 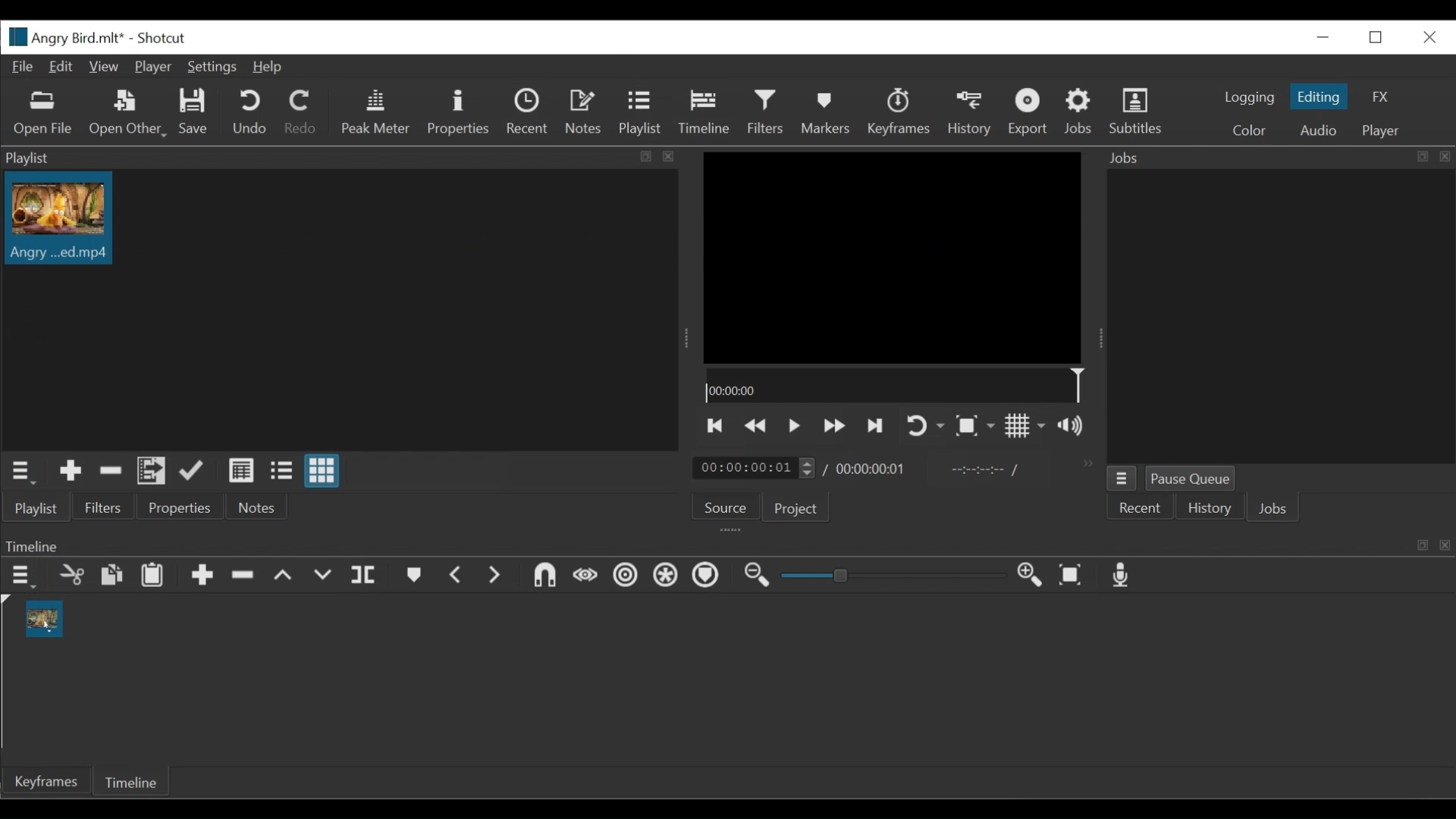 What do you see at coordinates (324, 471) in the screenshot?
I see `View as icons` at bounding box center [324, 471].